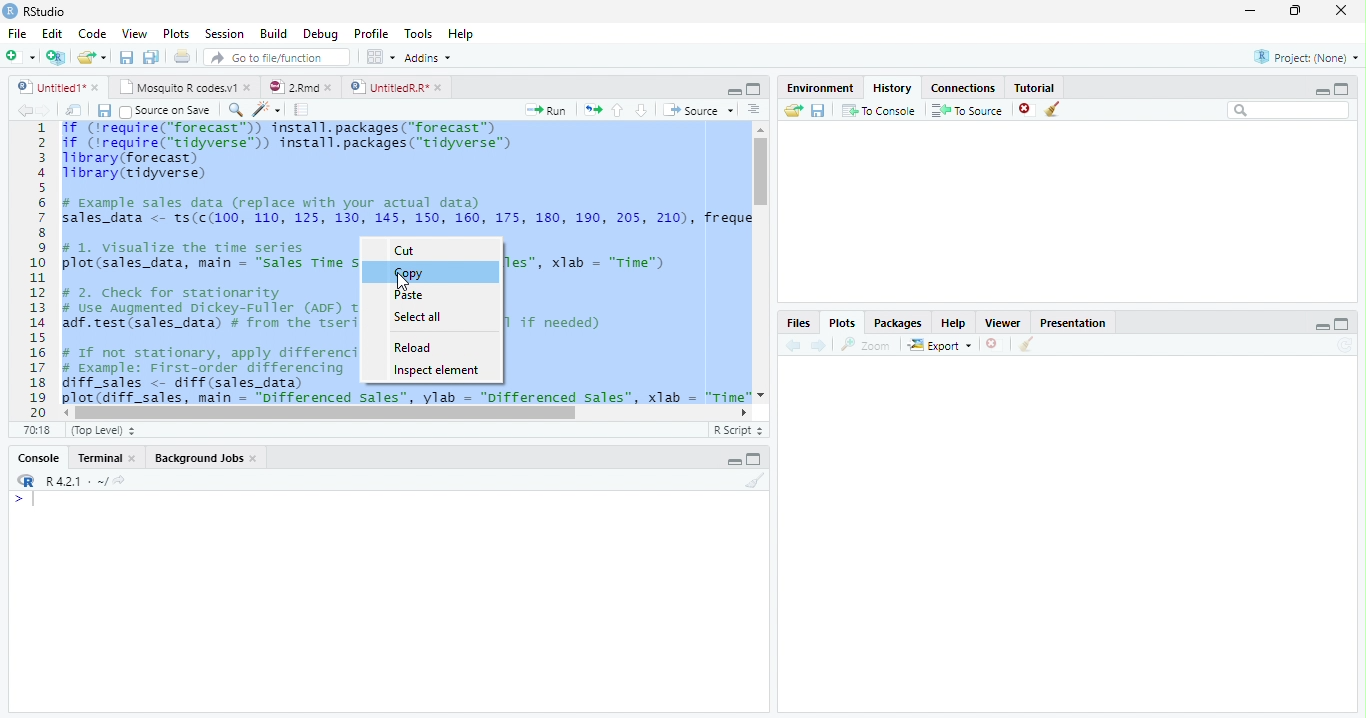 This screenshot has width=1366, height=718. Describe the element at coordinates (818, 110) in the screenshot. I see `save` at that location.